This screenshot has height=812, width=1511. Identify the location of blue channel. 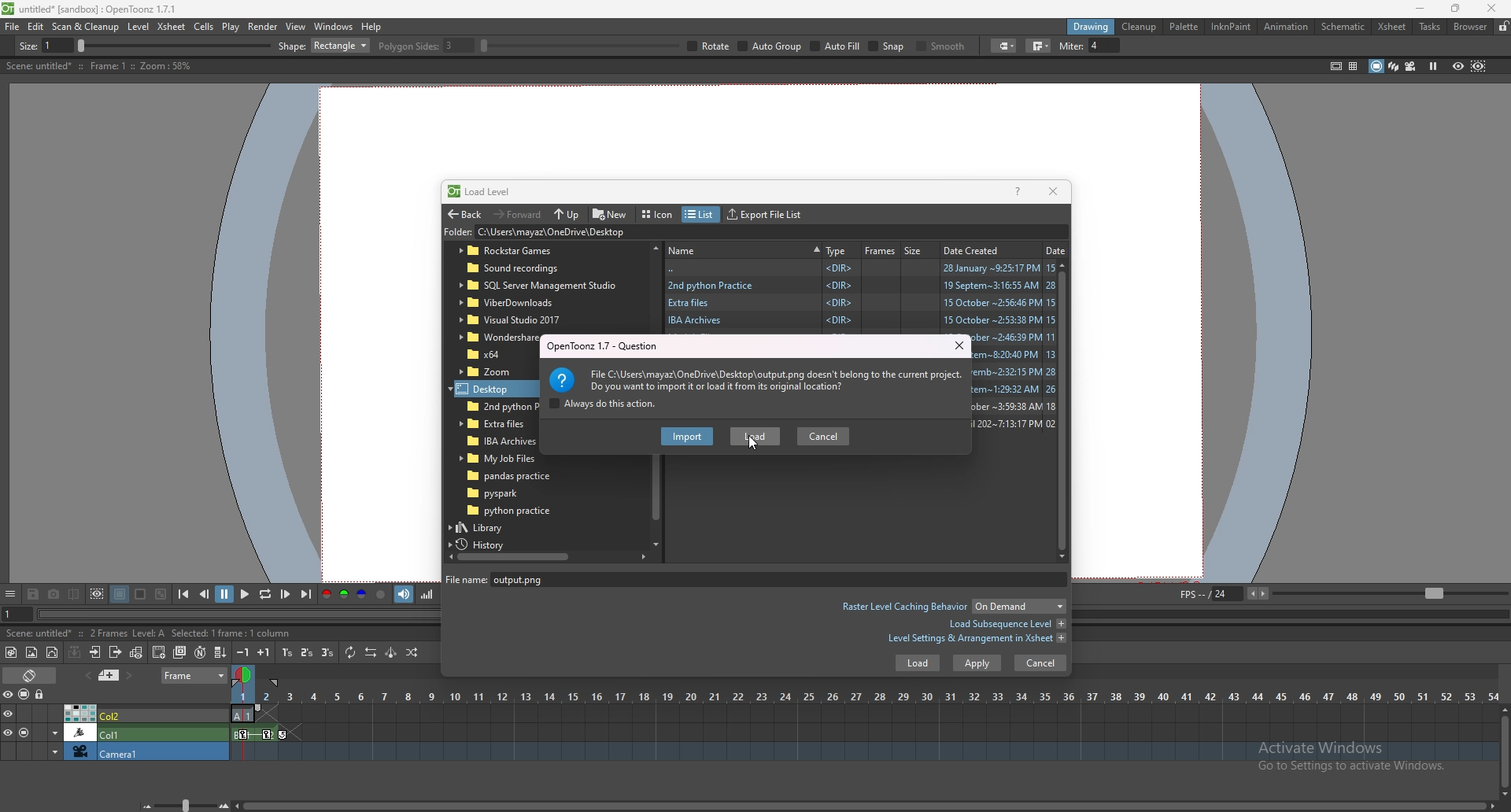
(362, 595).